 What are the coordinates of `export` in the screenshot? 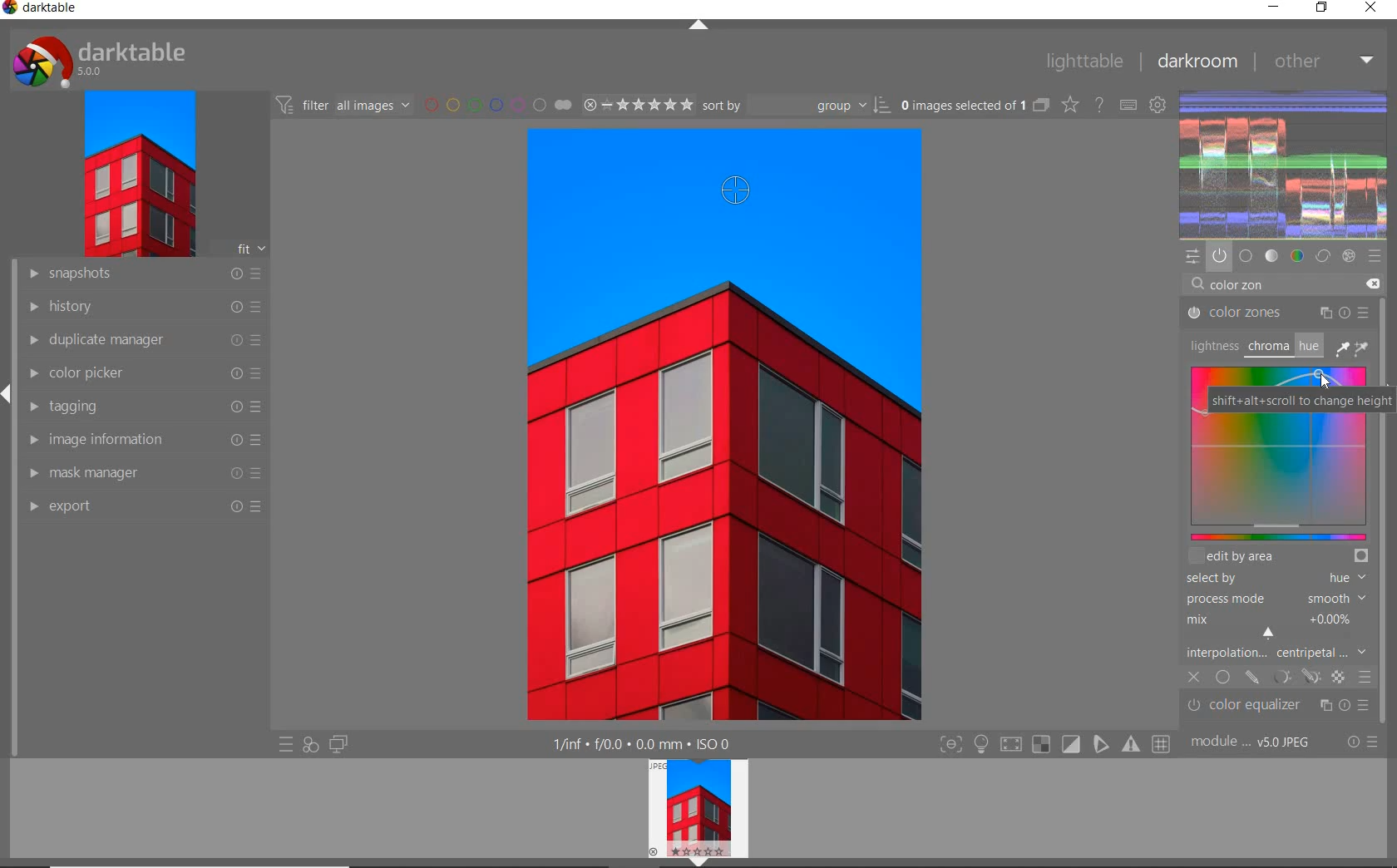 It's located at (146, 507).